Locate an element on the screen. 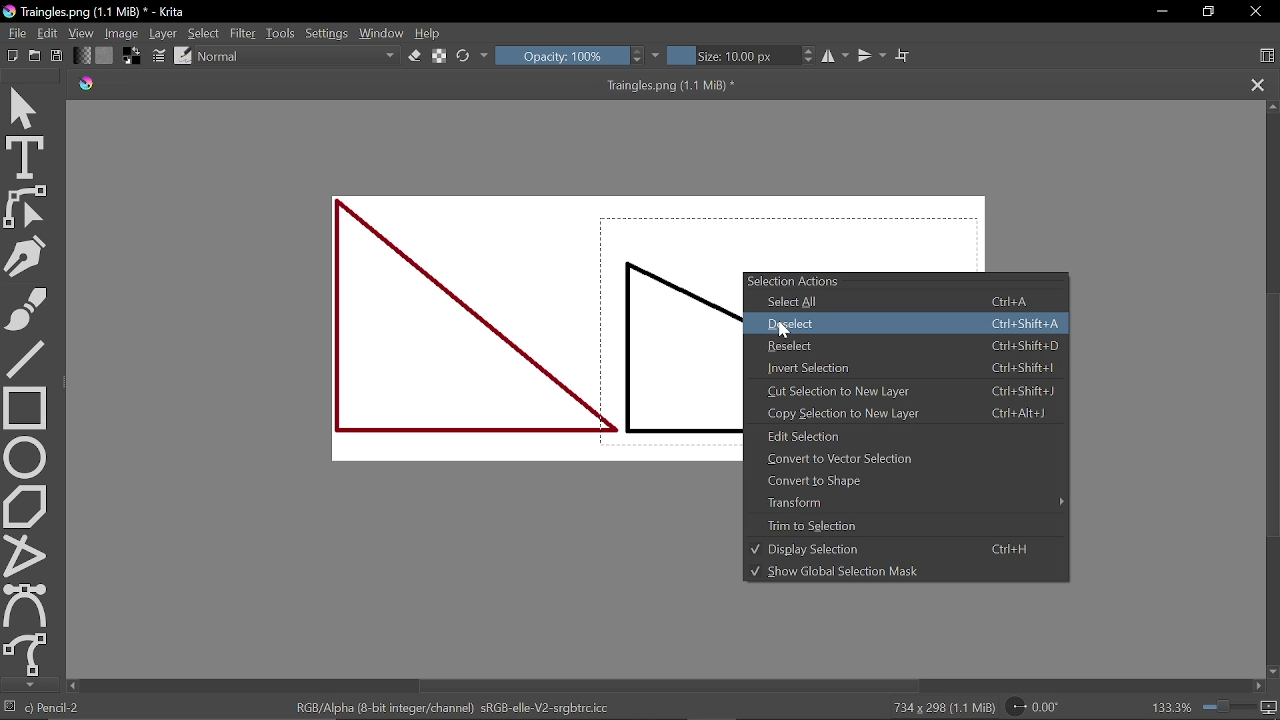  Edit selection is located at coordinates (903, 436).